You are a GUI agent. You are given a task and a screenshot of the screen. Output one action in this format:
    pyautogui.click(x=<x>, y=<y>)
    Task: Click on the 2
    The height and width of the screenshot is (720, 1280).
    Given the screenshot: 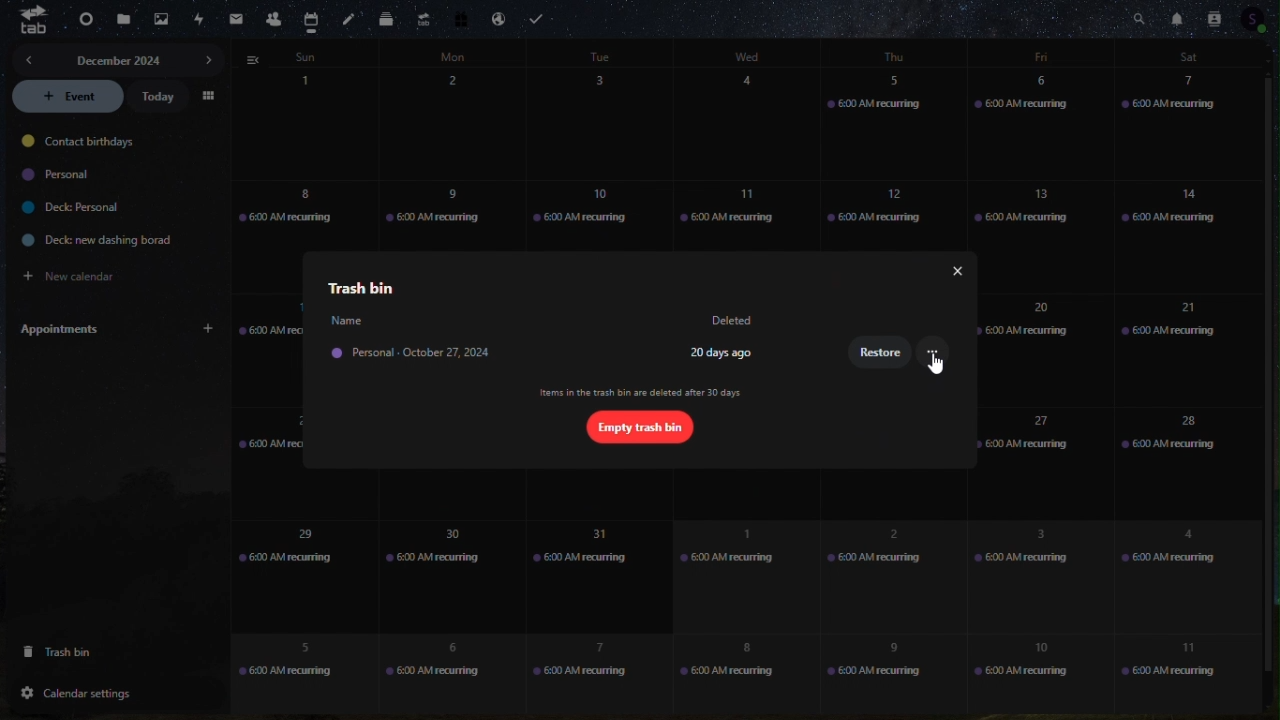 What is the action you would take?
    pyautogui.click(x=886, y=568)
    